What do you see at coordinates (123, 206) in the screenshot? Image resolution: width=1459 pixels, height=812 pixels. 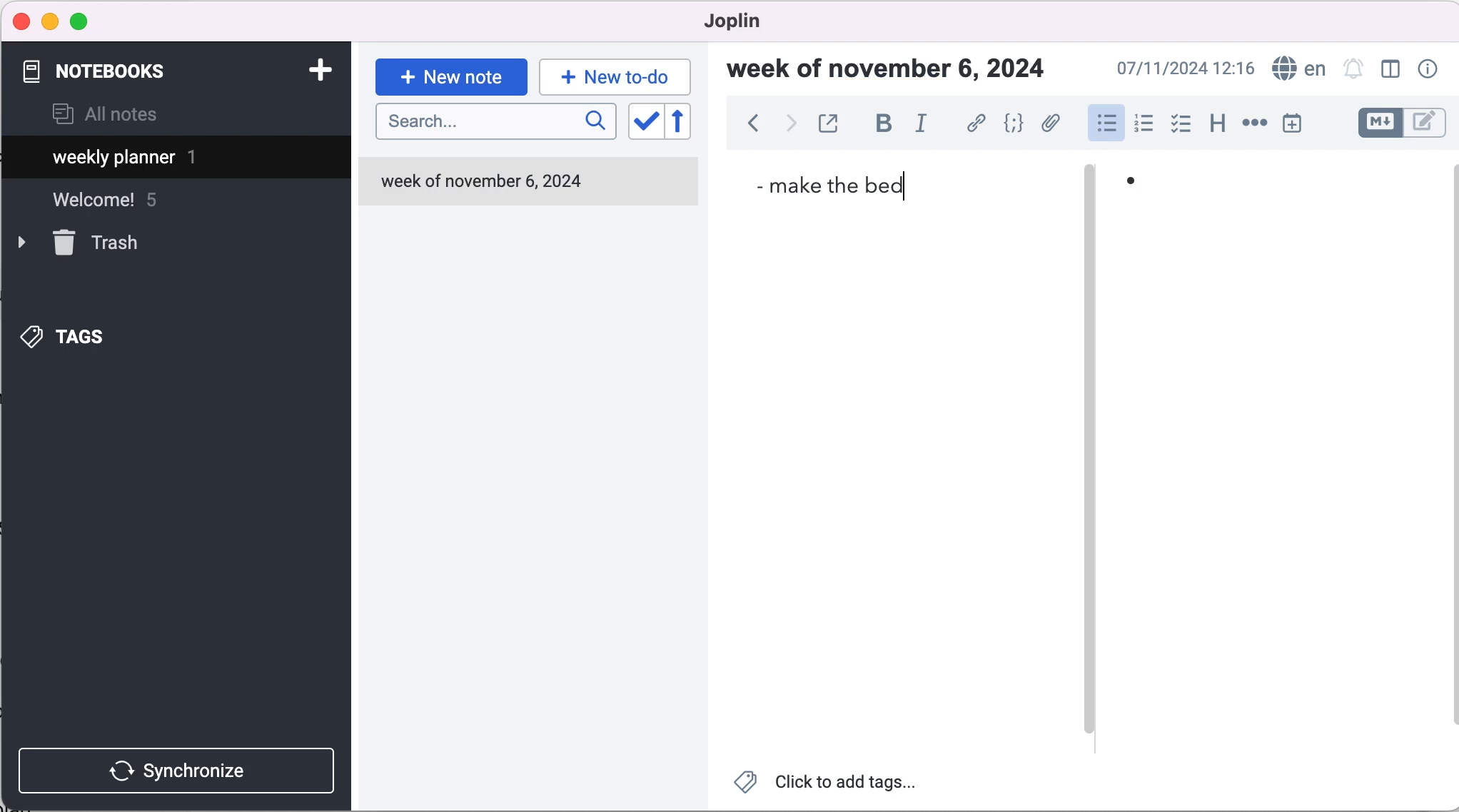 I see `welcome! 5` at bounding box center [123, 206].